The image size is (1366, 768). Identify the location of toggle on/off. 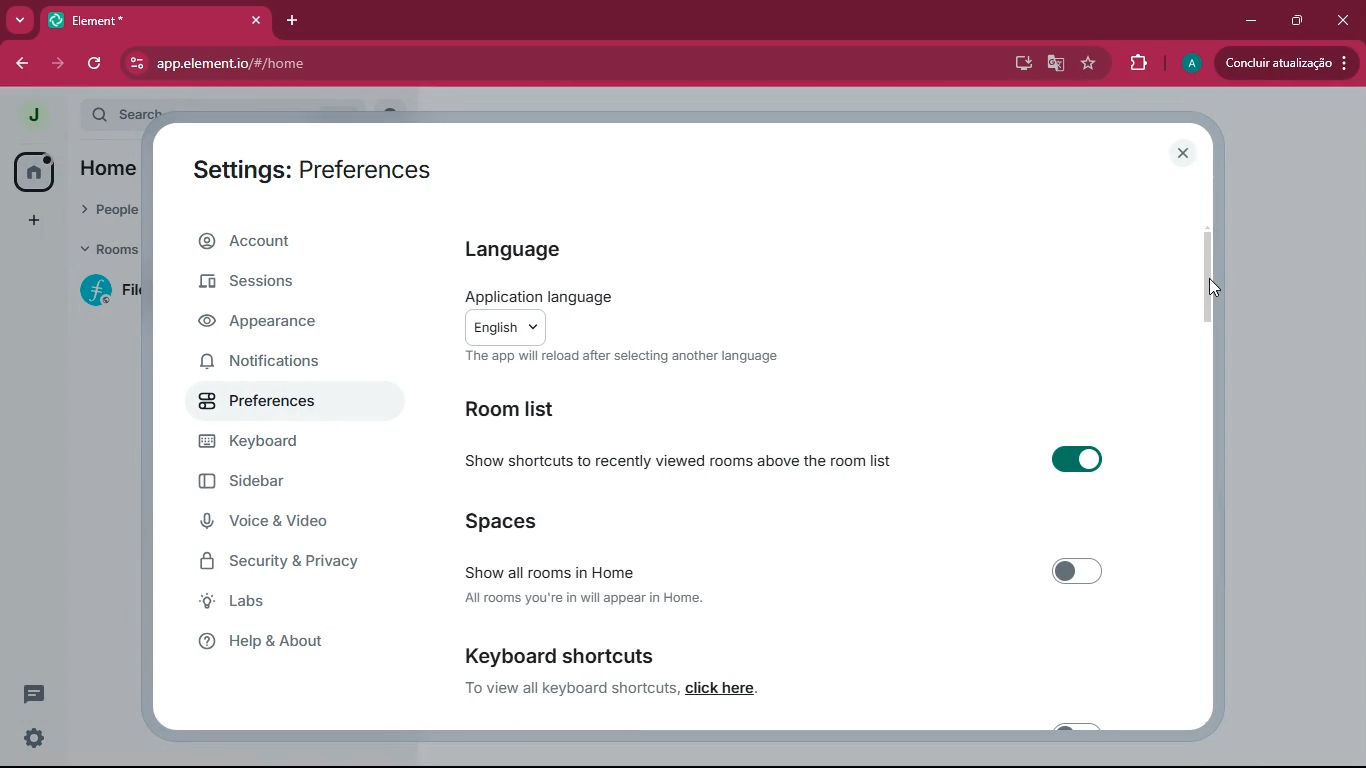
(1079, 572).